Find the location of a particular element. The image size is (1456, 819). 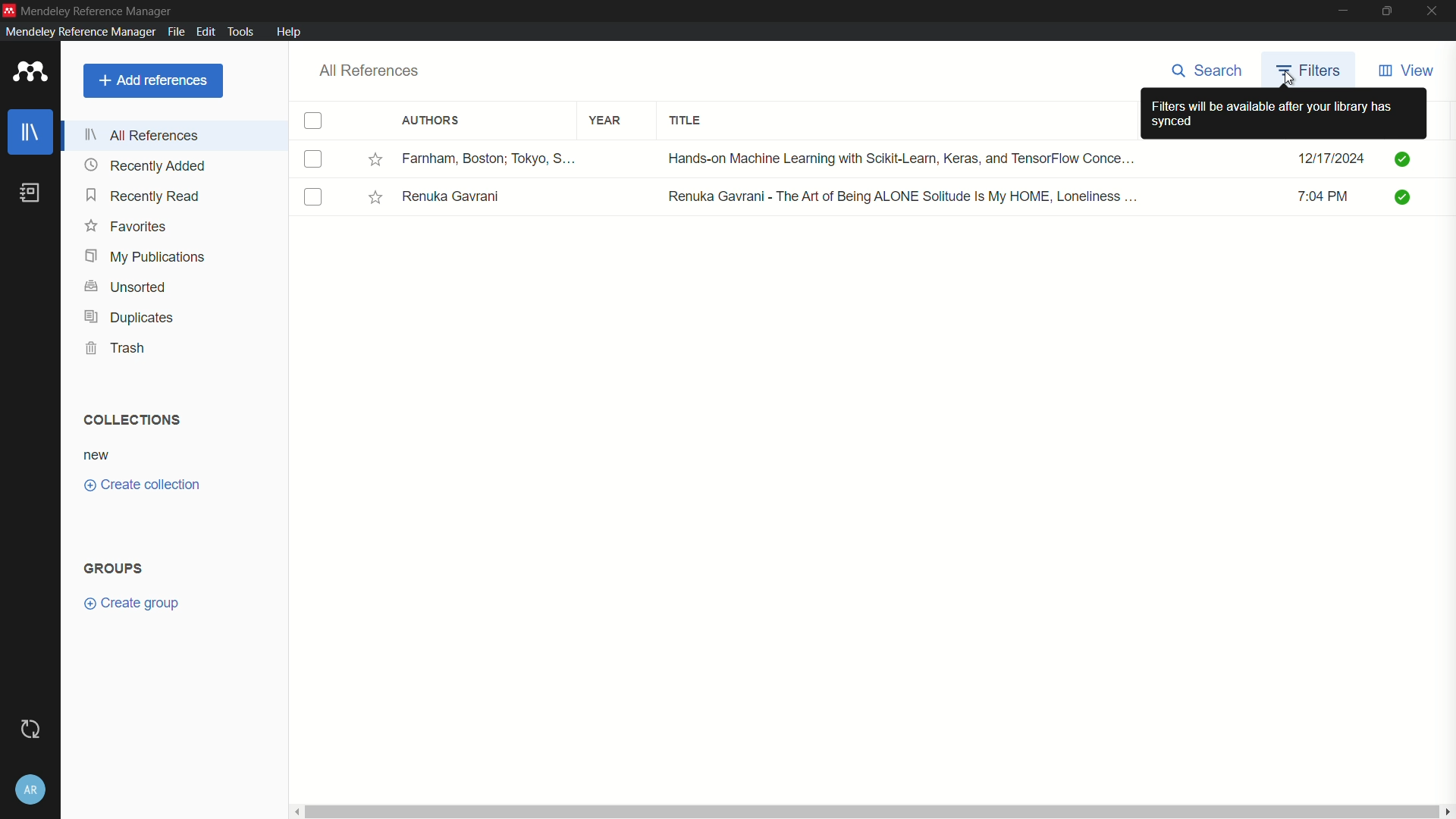

filter is located at coordinates (1311, 71).